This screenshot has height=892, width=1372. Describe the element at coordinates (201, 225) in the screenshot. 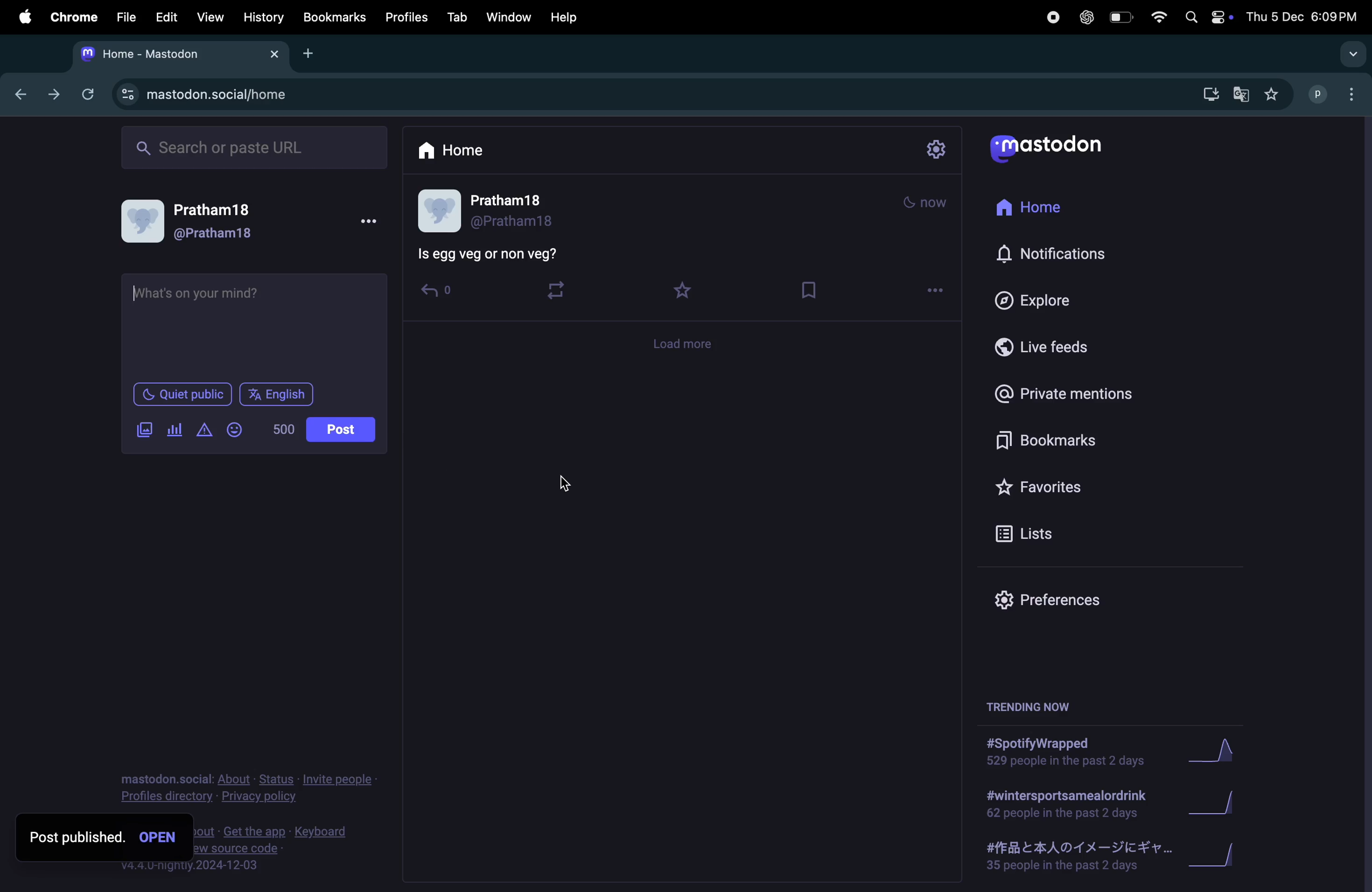

I see `user profile` at that location.